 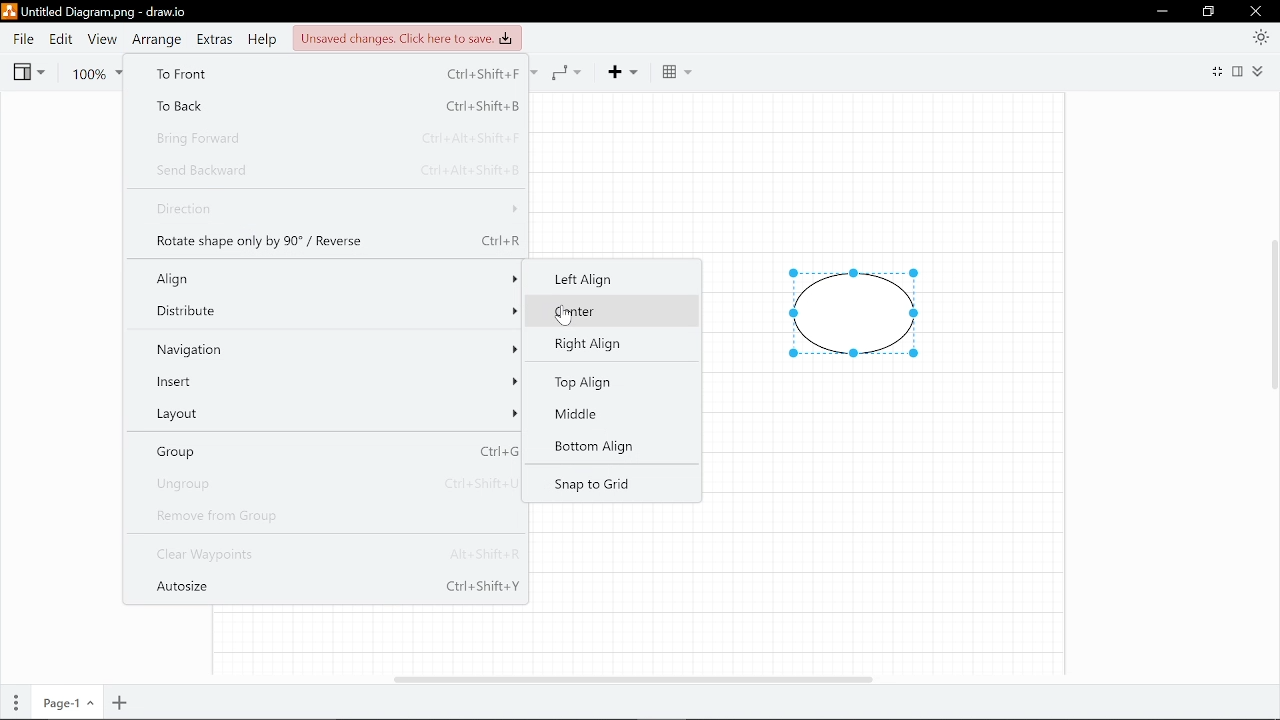 What do you see at coordinates (329, 410) in the screenshot?
I see `Layout` at bounding box center [329, 410].